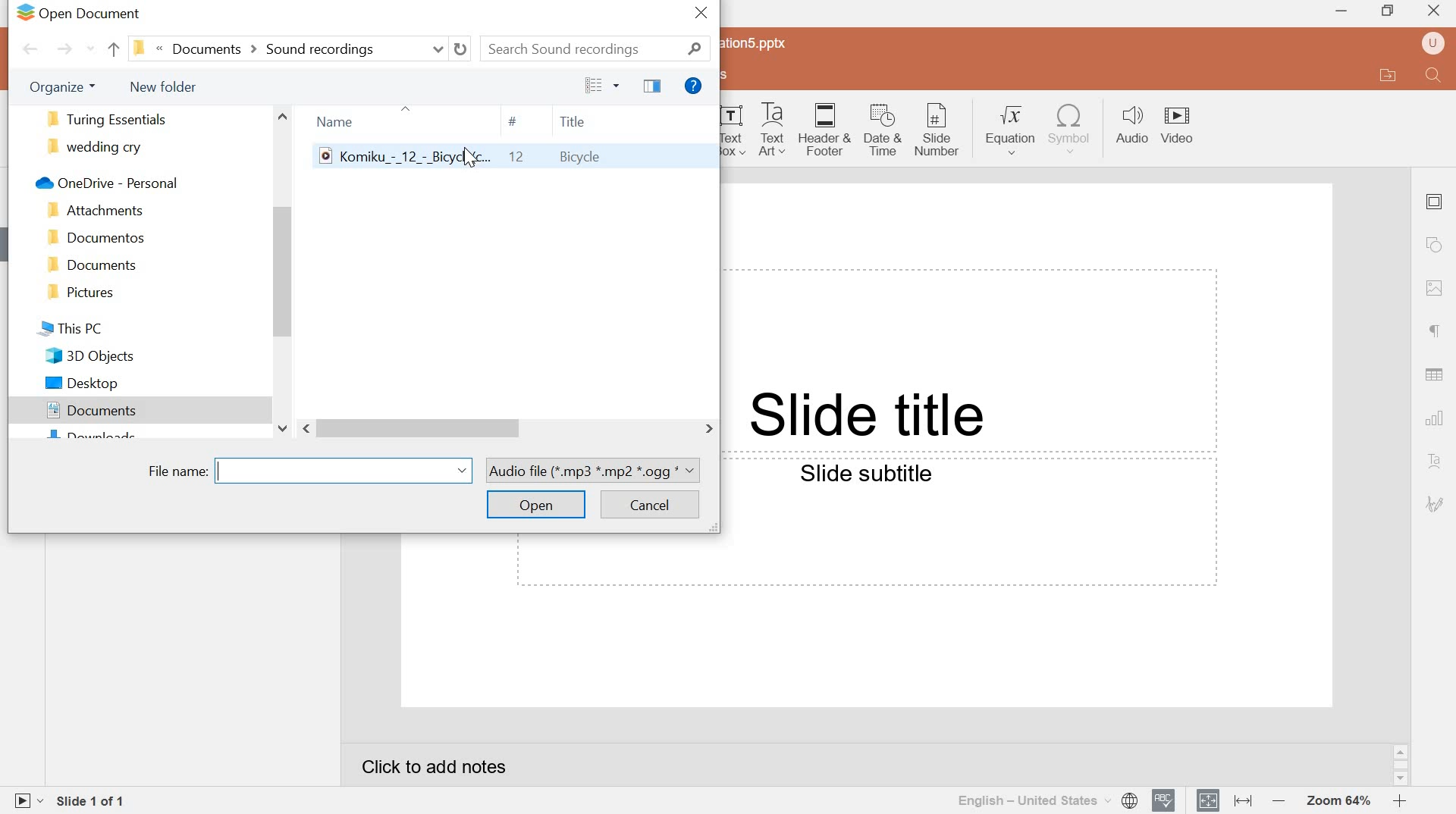  Describe the element at coordinates (1012, 129) in the screenshot. I see `Equation` at that location.